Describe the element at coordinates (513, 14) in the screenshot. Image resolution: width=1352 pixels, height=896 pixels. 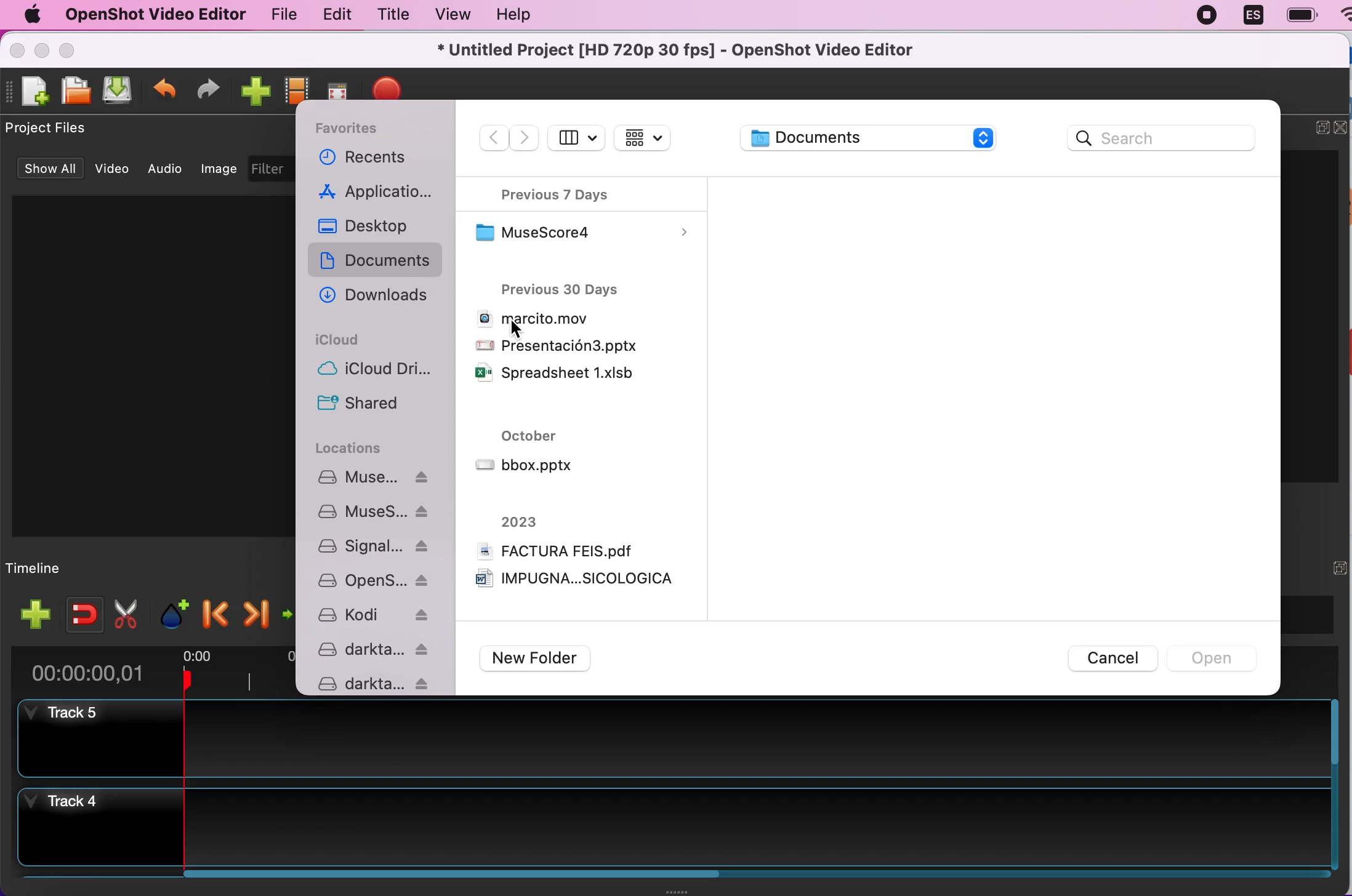
I see `help` at that location.